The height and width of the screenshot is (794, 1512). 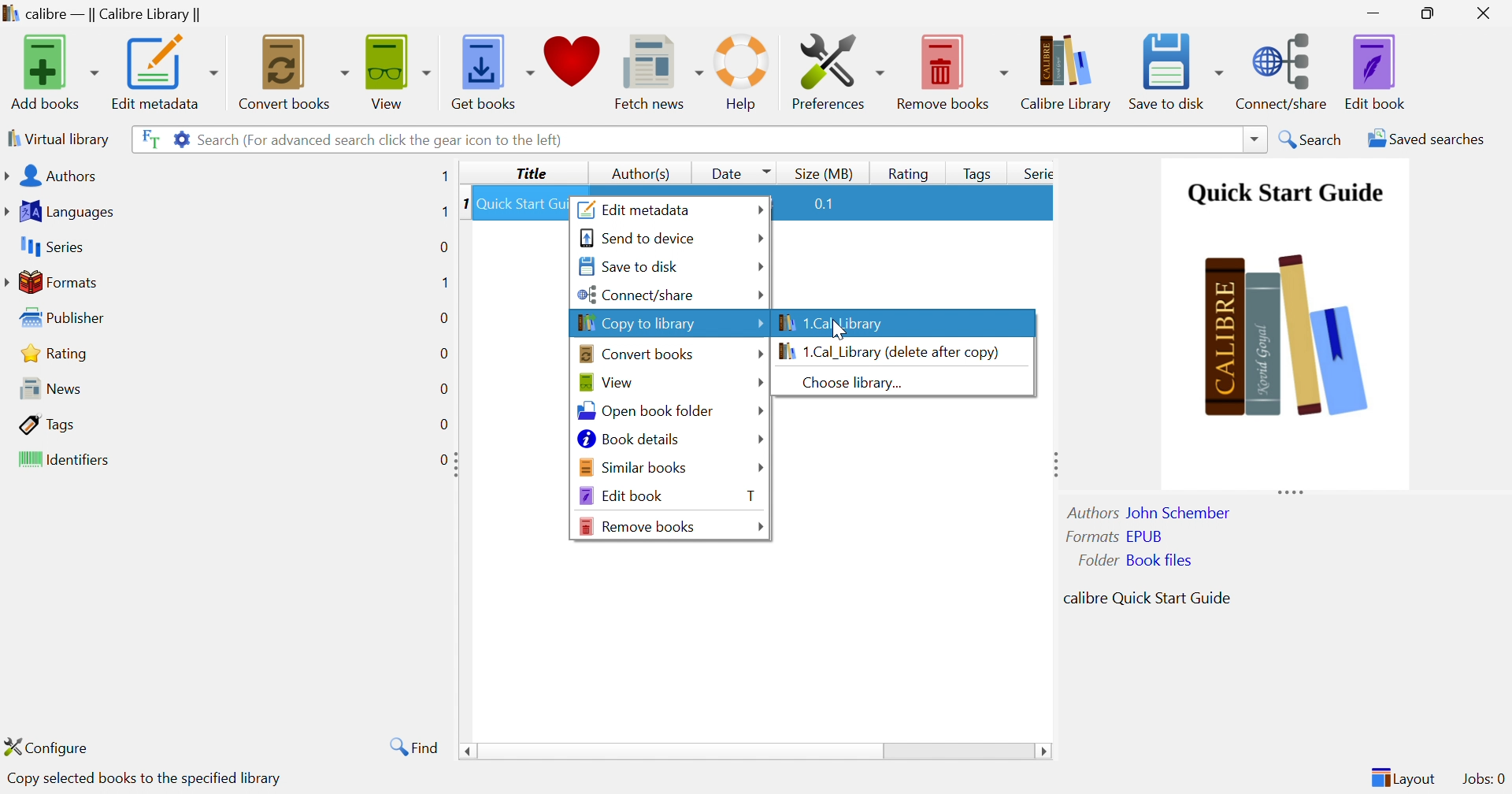 I want to click on languages, so click(x=65, y=210).